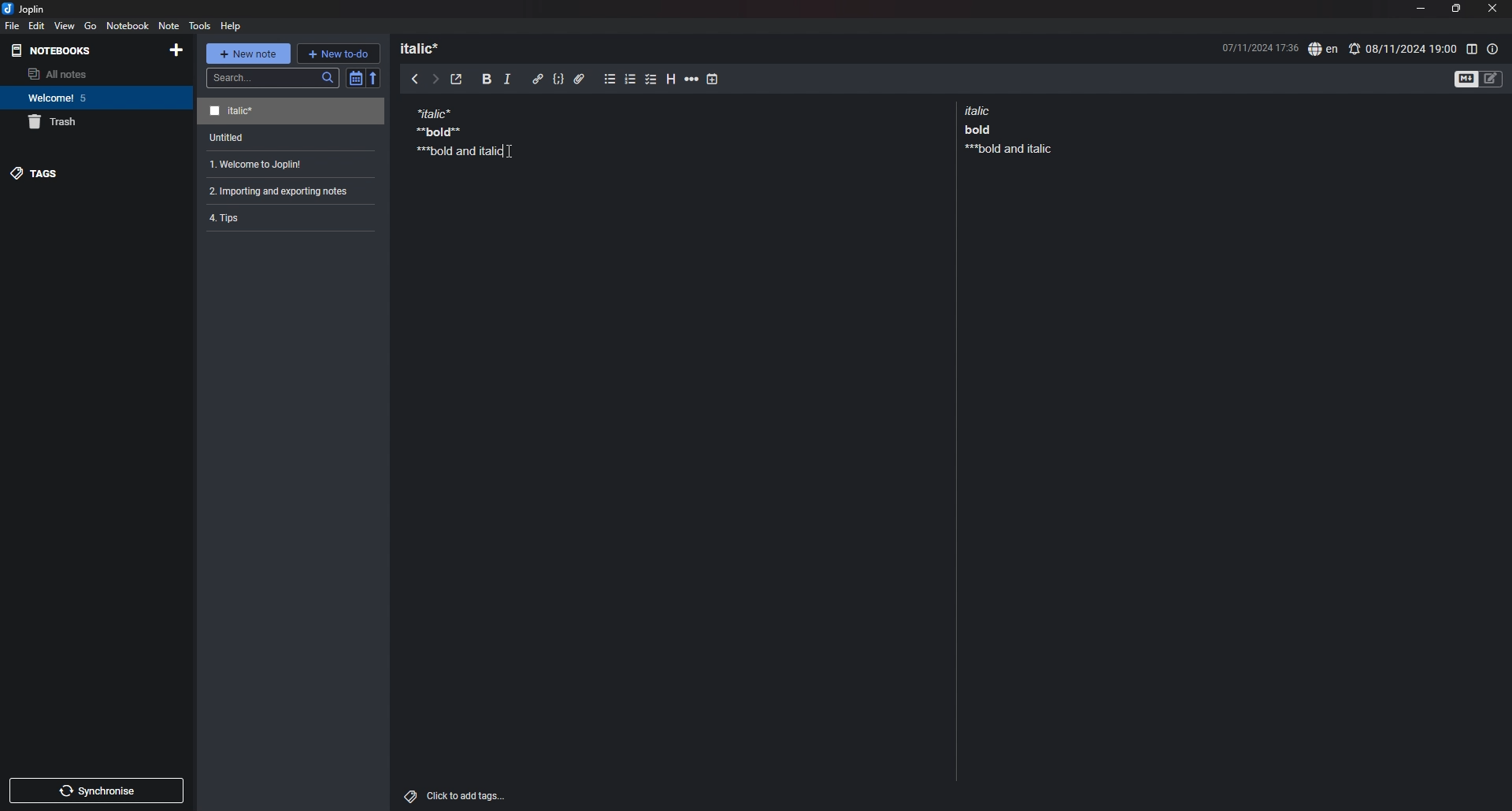  I want to click on checkbox, so click(651, 80).